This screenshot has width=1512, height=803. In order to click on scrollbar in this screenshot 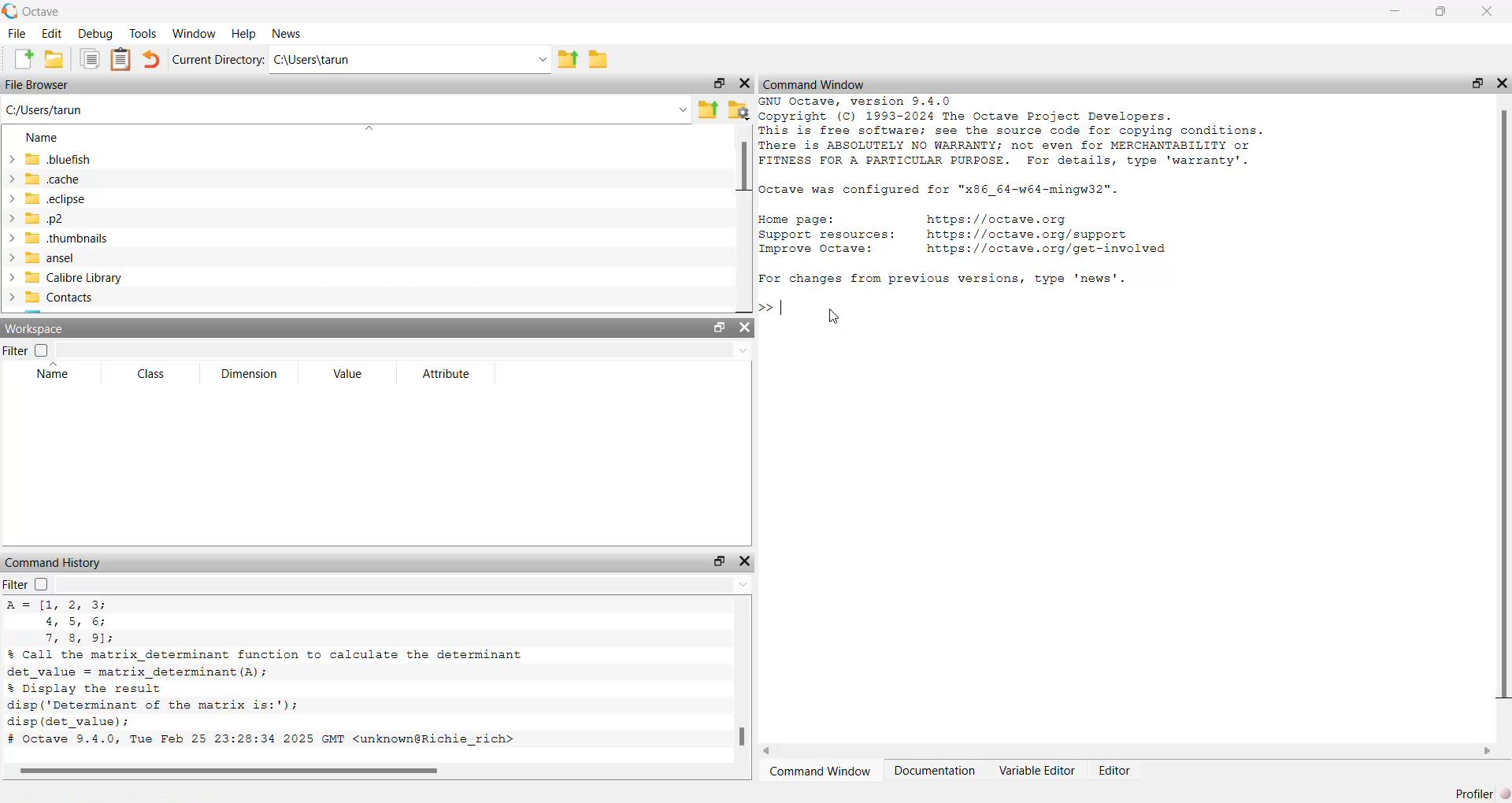, I will do `click(1128, 750)`.